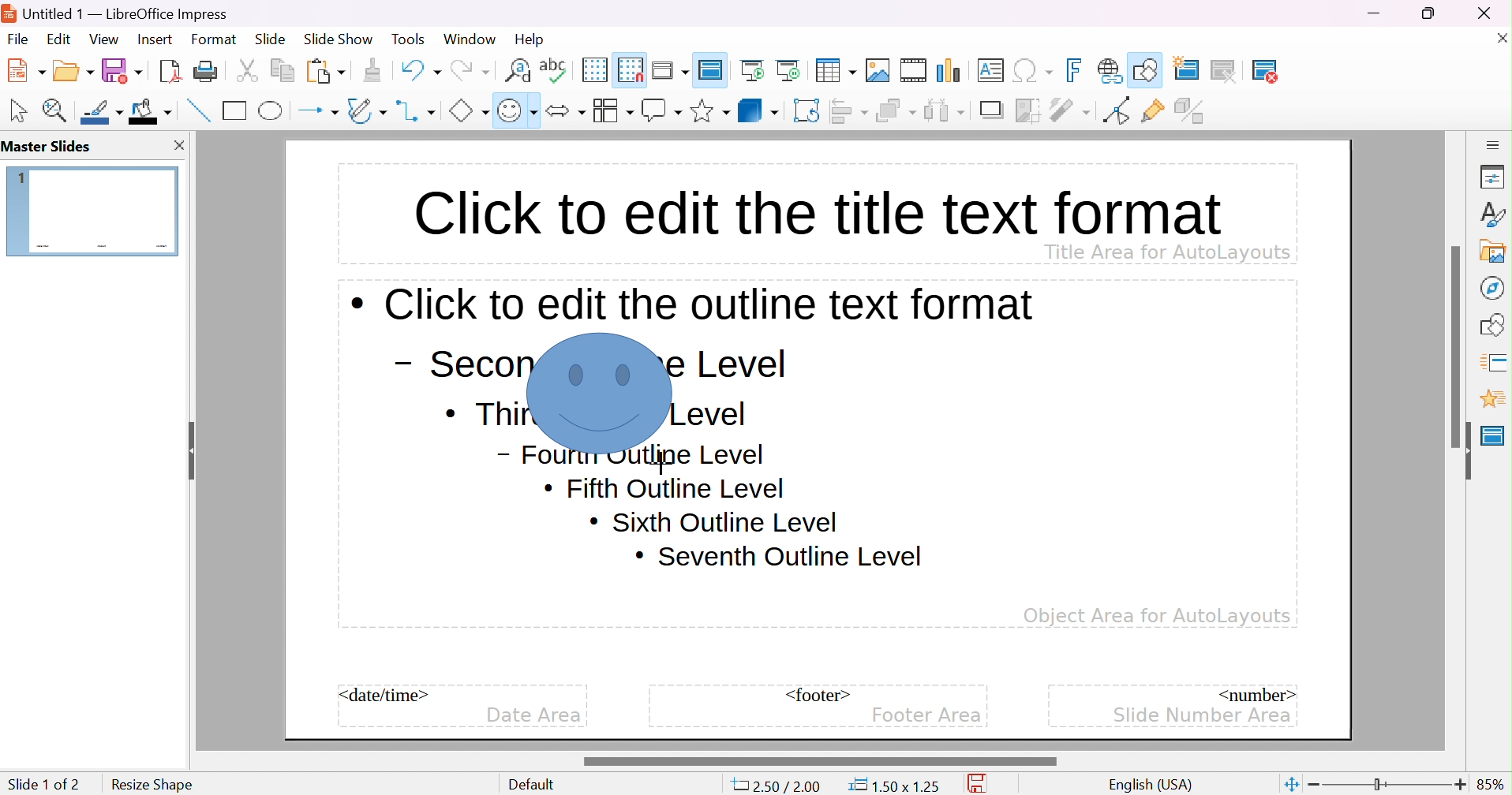 The height and width of the screenshot is (795, 1512). What do you see at coordinates (235, 110) in the screenshot?
I see `rectangle` at bounding box center [235, 110].